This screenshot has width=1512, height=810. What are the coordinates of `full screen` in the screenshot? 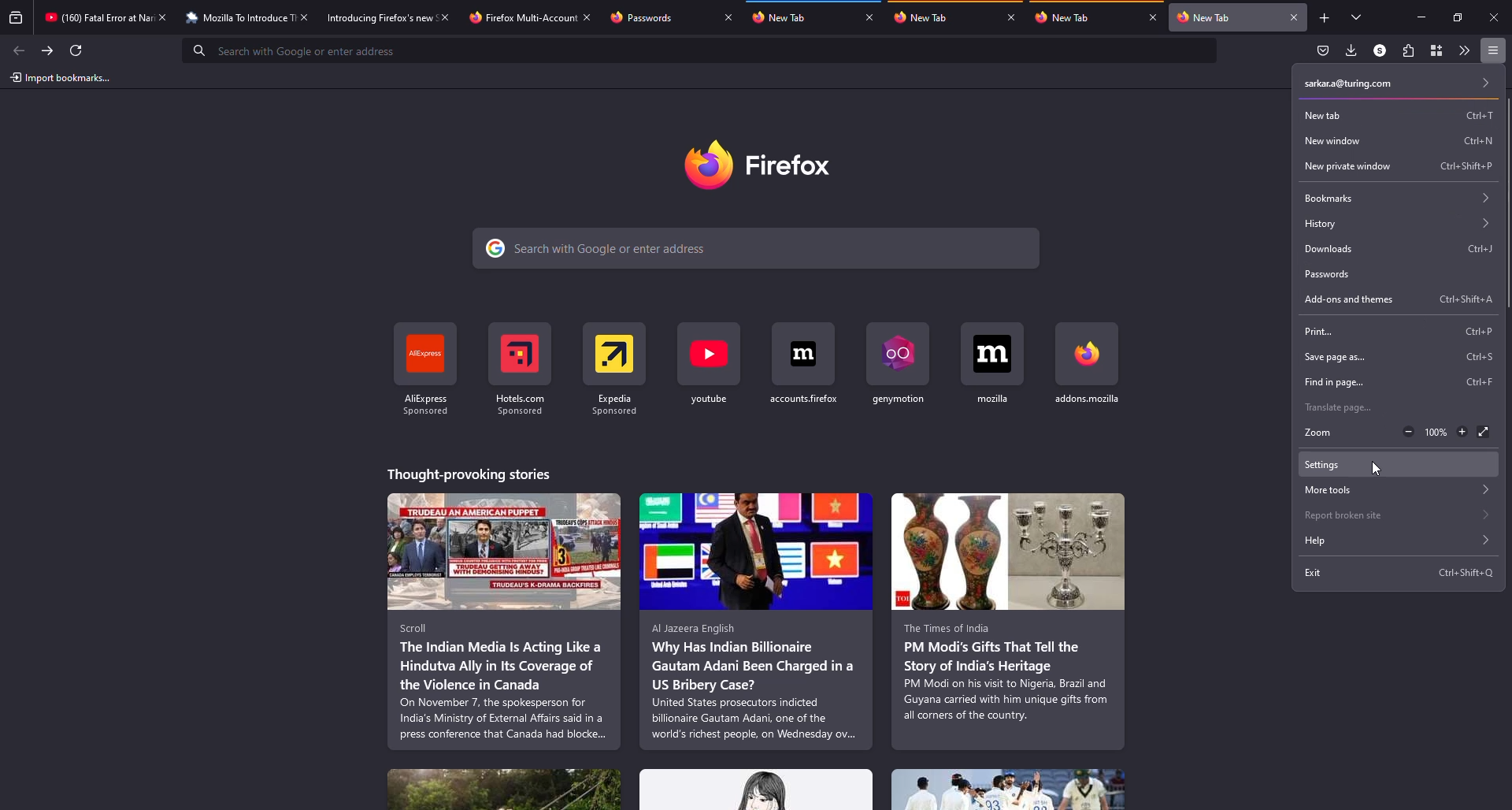 It's located at (1485, 432).